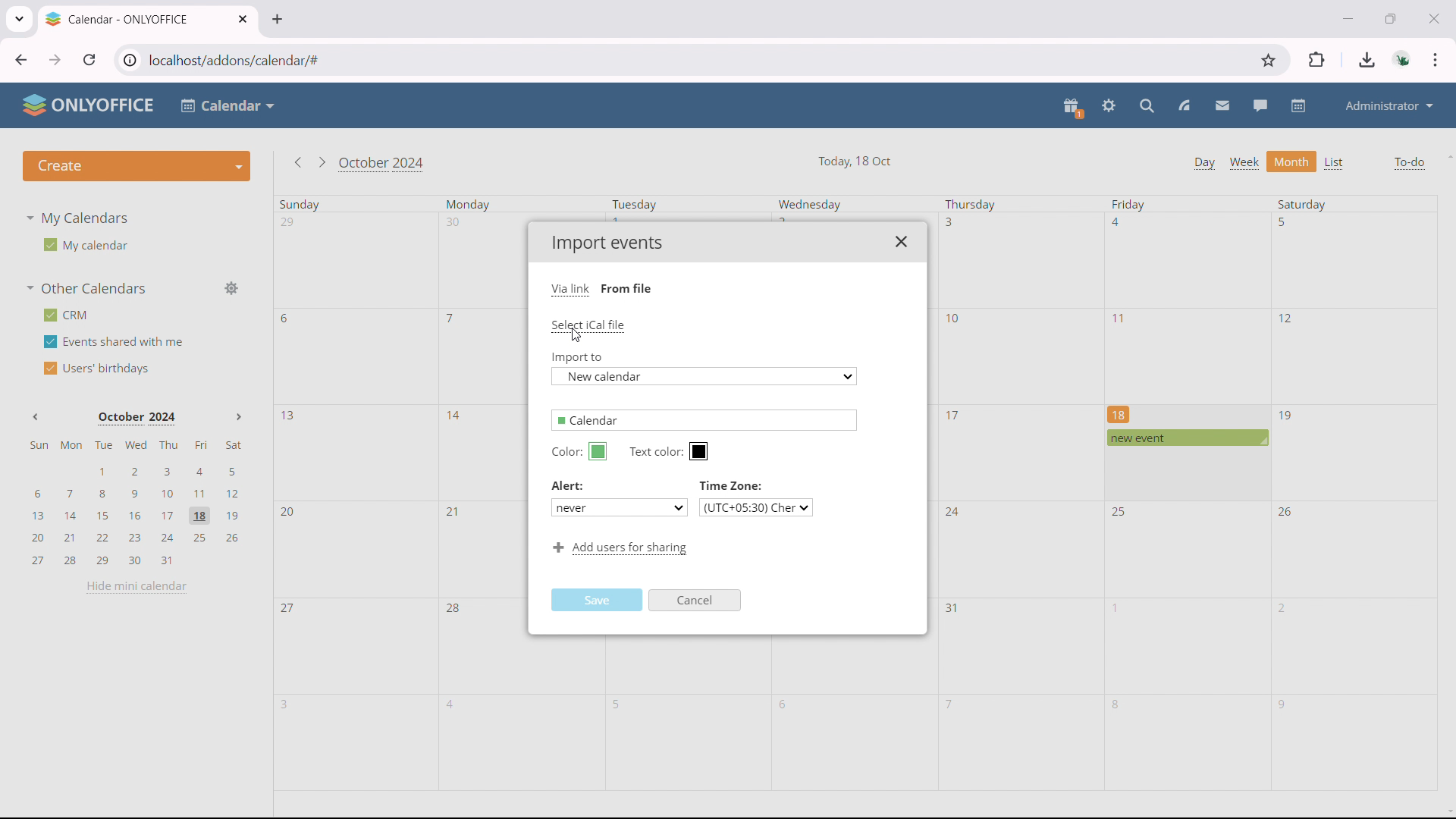  Describe the element at coordinates (87, 246) in the screenshot. I see `My calendar` at that location.